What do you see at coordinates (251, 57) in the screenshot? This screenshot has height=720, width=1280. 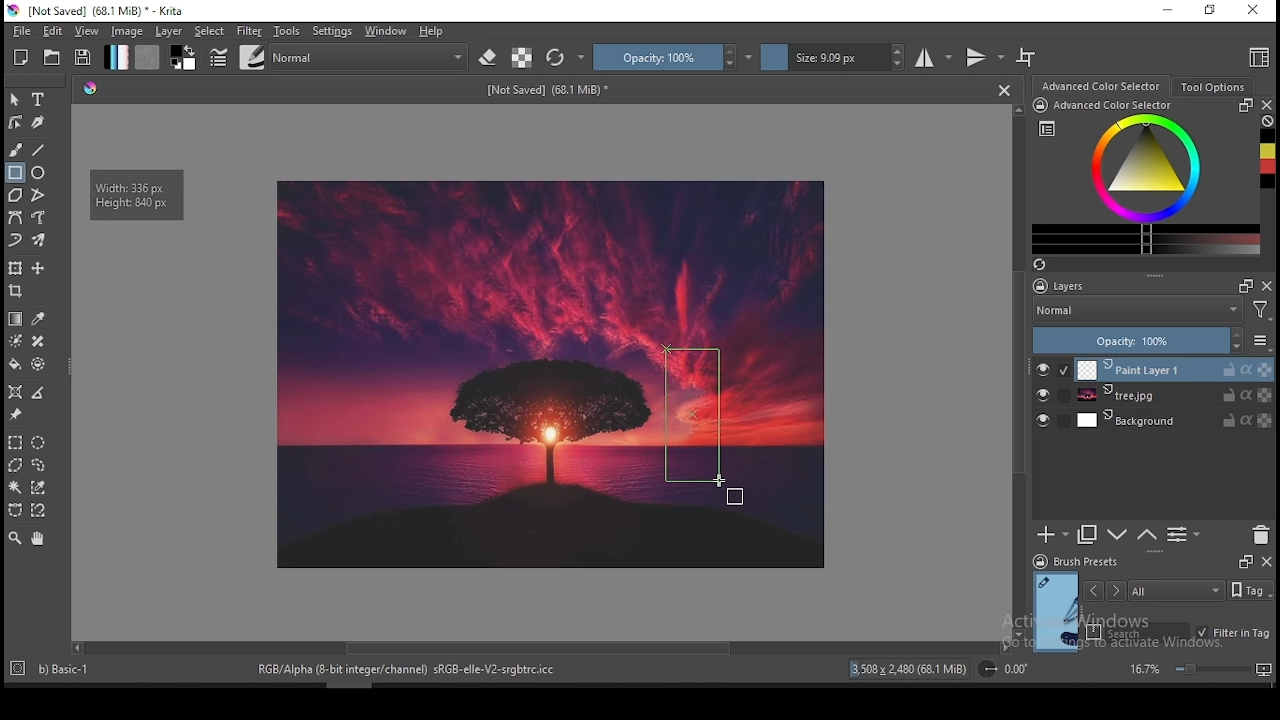 I see `brushes` at bounding box center [251, 57].